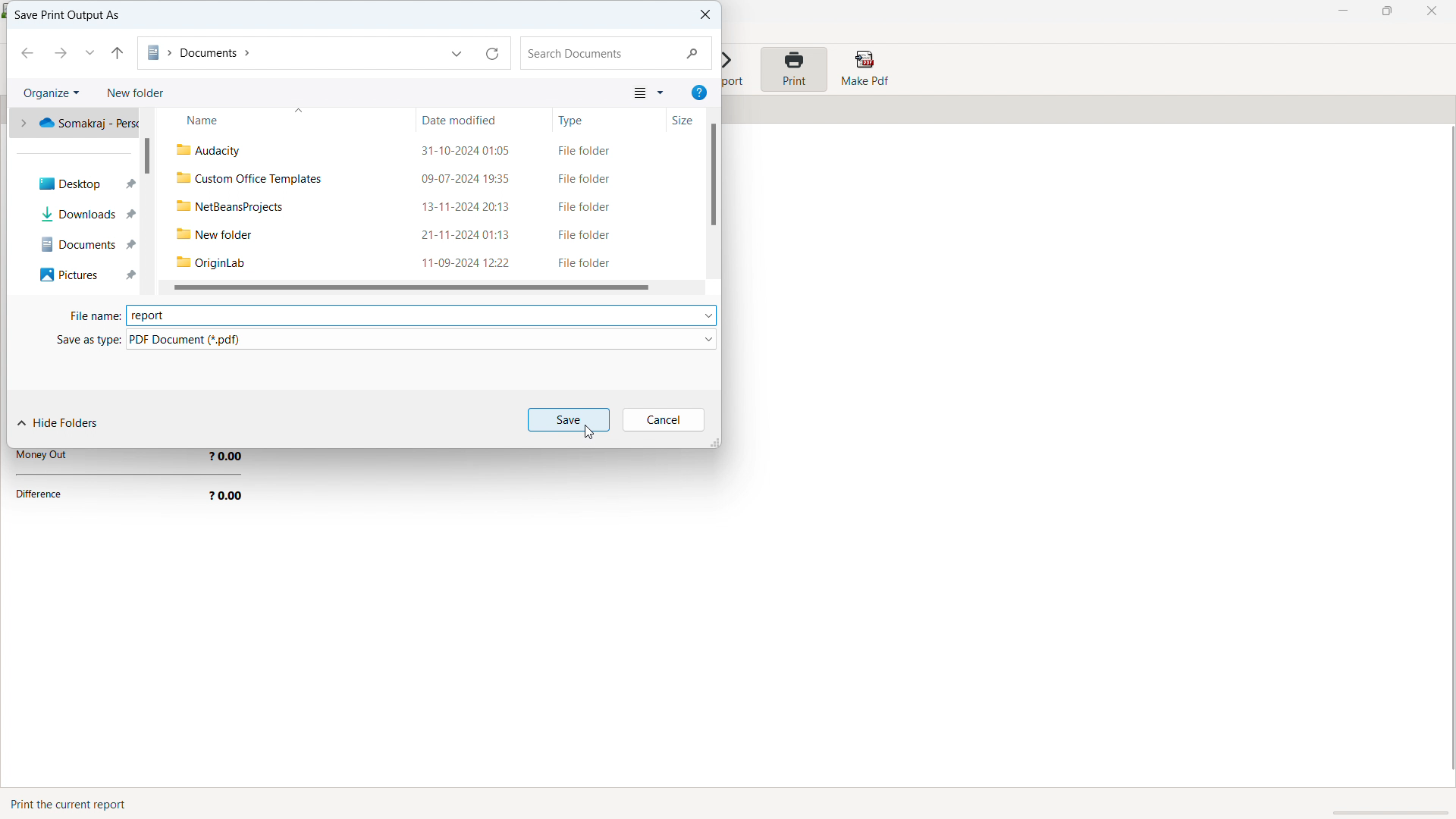 Image resolution: width=1456 pixels, height=819 pixels. What do you see at coordinates (409, 287) in the screenshot?
I see `horizontal scrollbar` at bounding box center [409, 287].